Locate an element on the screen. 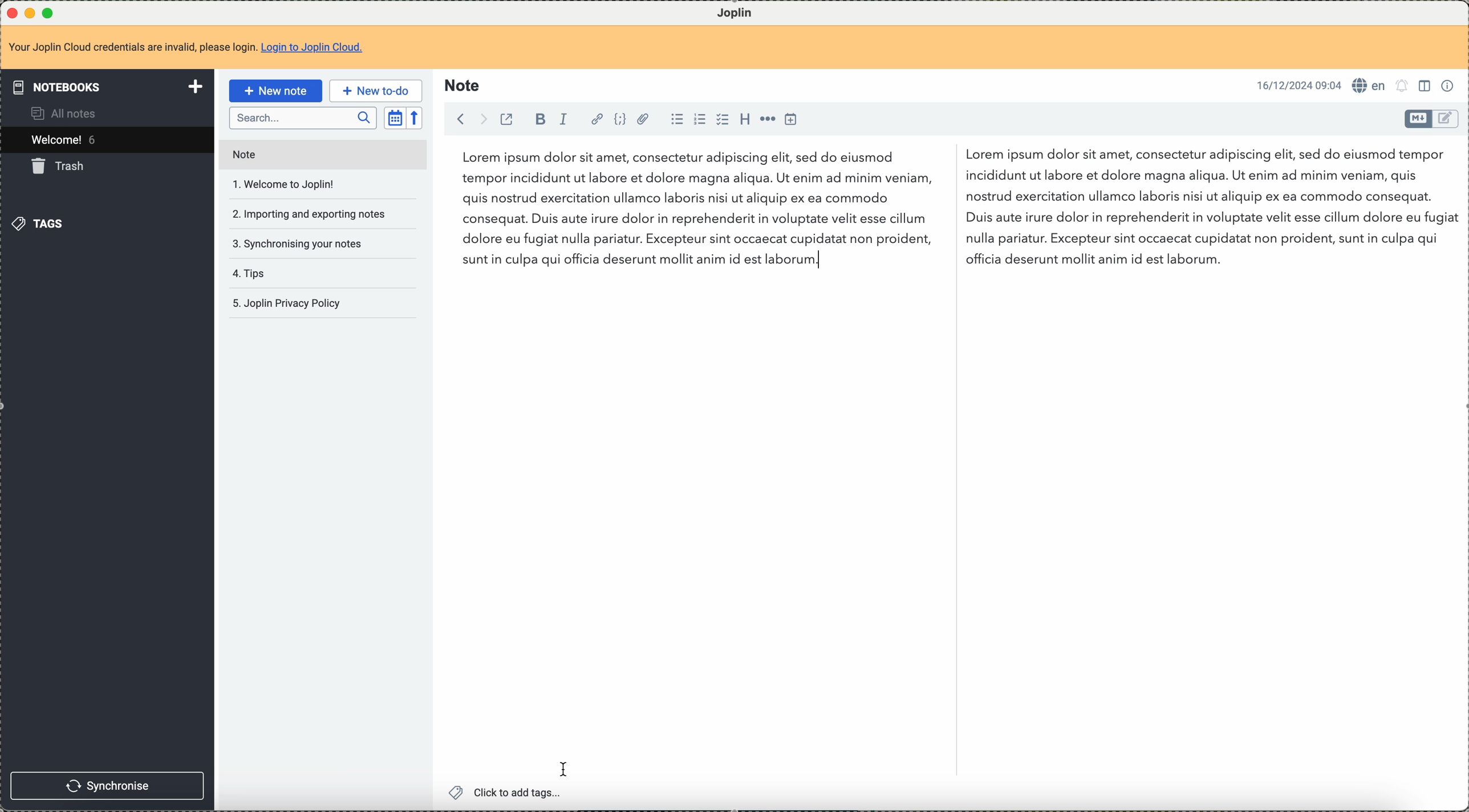  toggle editors layout is located at coordinates (1427, 87).